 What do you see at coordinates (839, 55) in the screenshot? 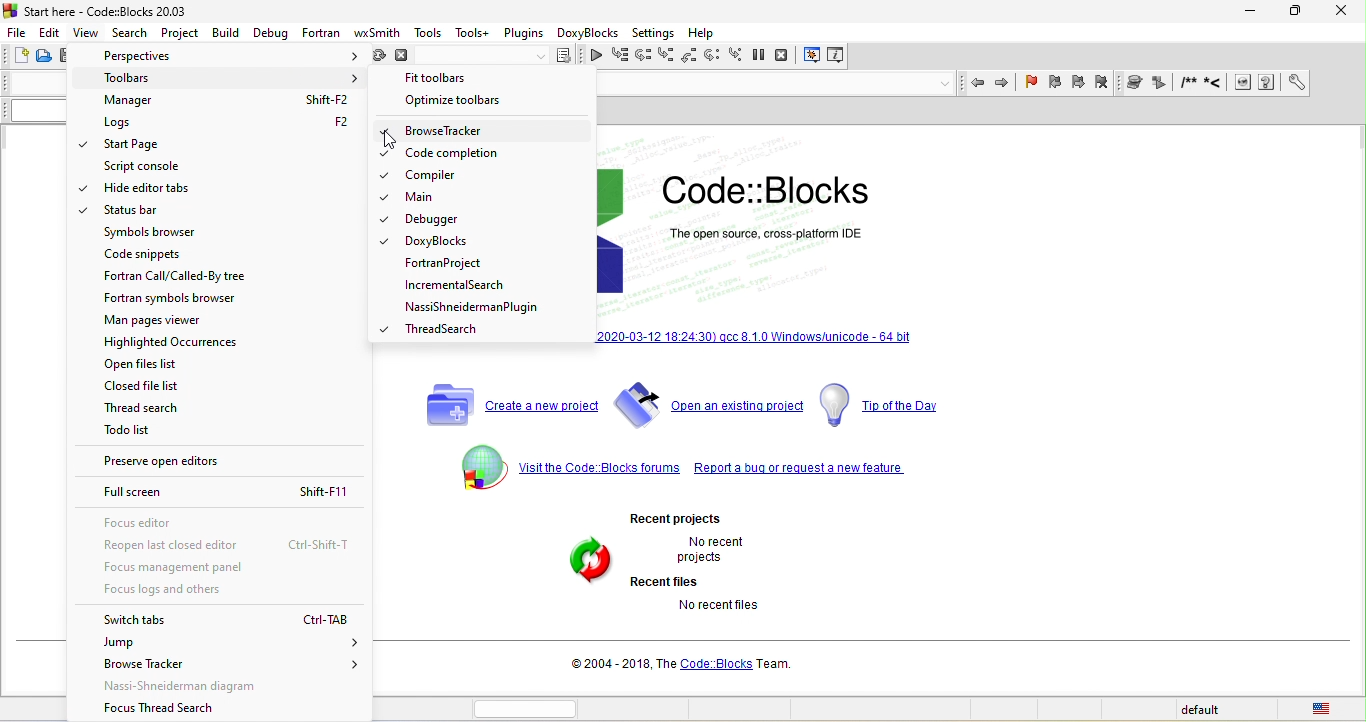
I see `various info` at bounding box center [839, 55].